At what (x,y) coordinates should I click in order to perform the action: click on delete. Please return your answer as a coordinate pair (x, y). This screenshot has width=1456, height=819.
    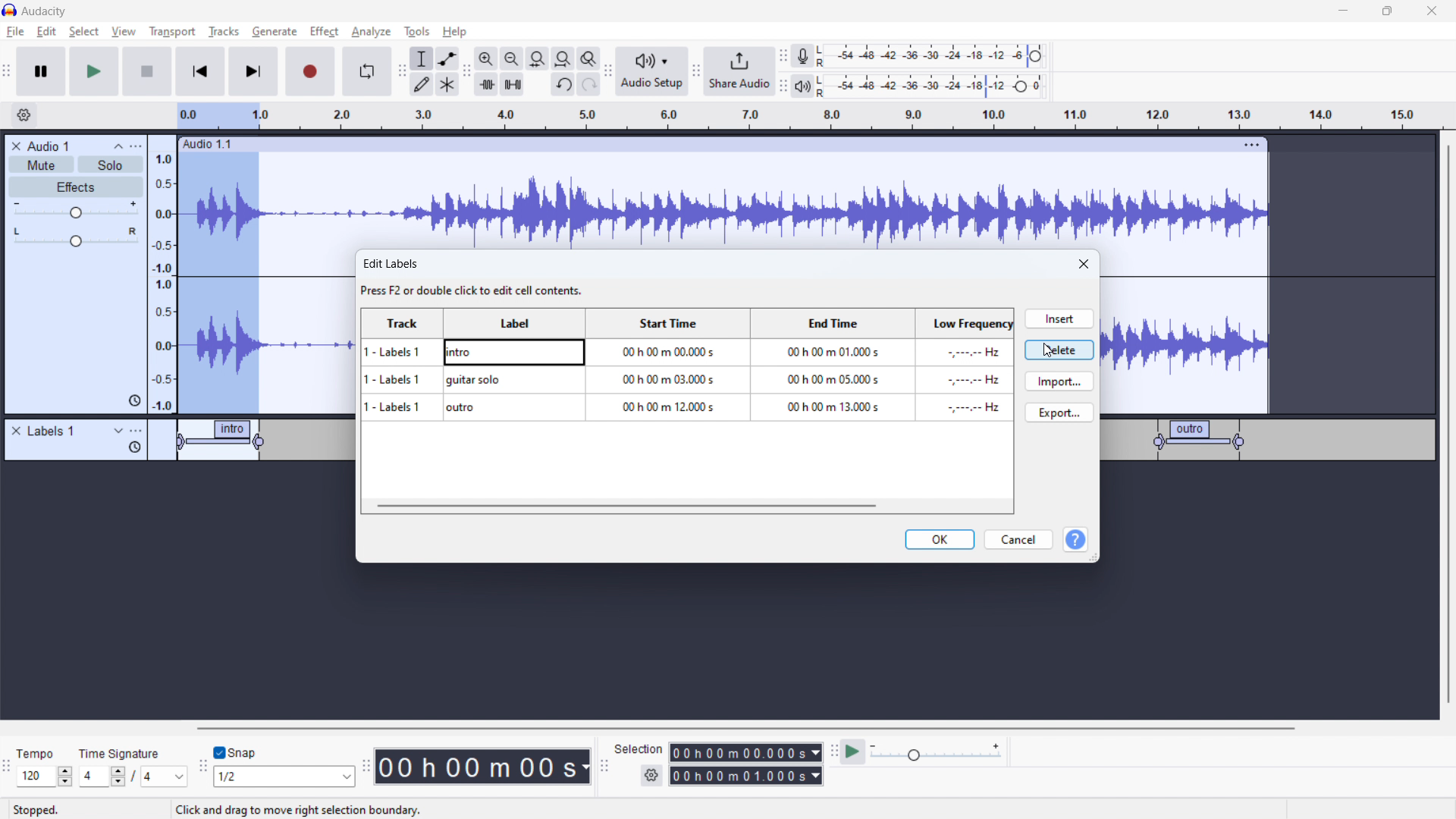
    Looking at the image, I should click on (1059, 349).